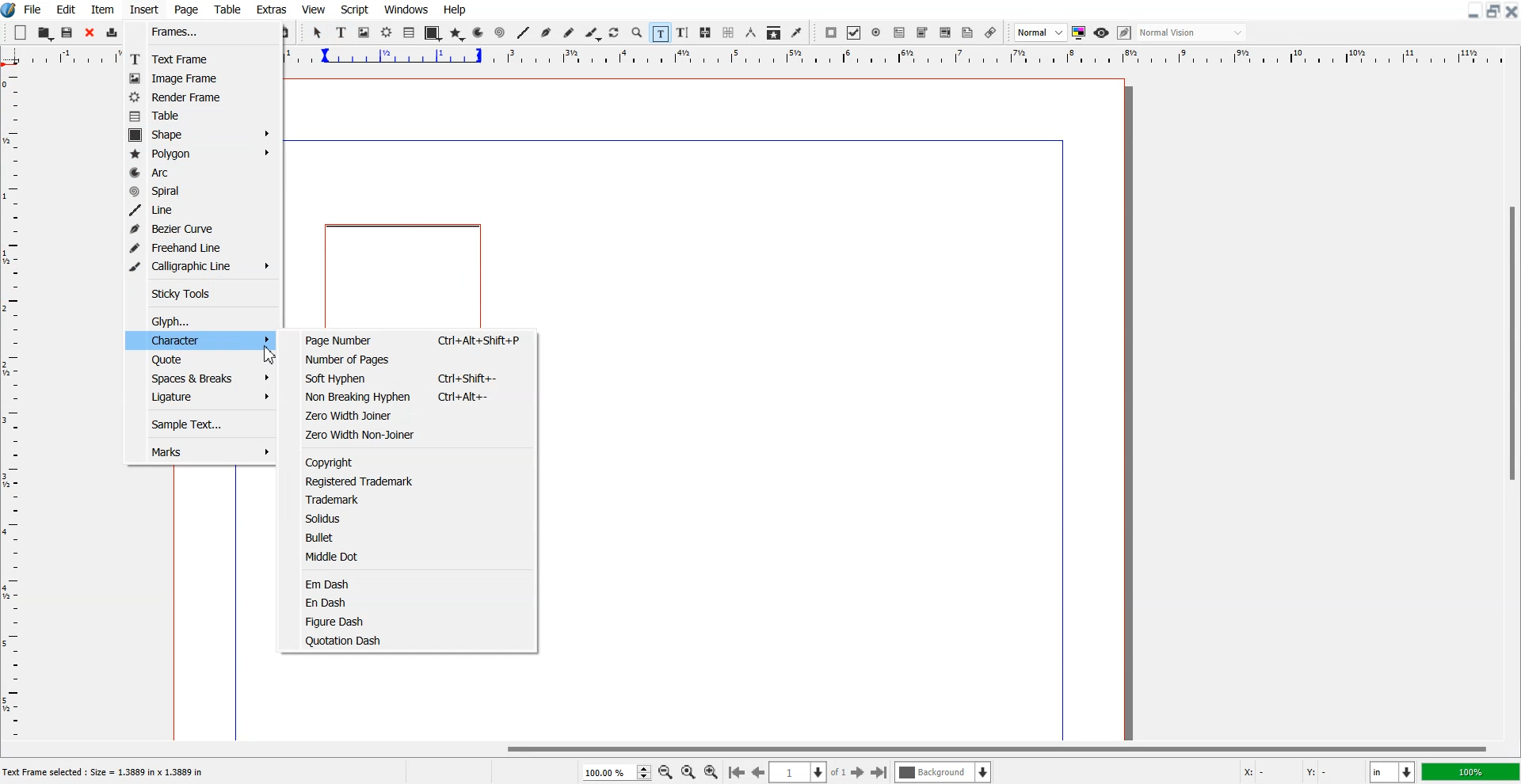 The width and height of the screenshot is (1521, 784). I want to click on Shape, so click(433, 33).